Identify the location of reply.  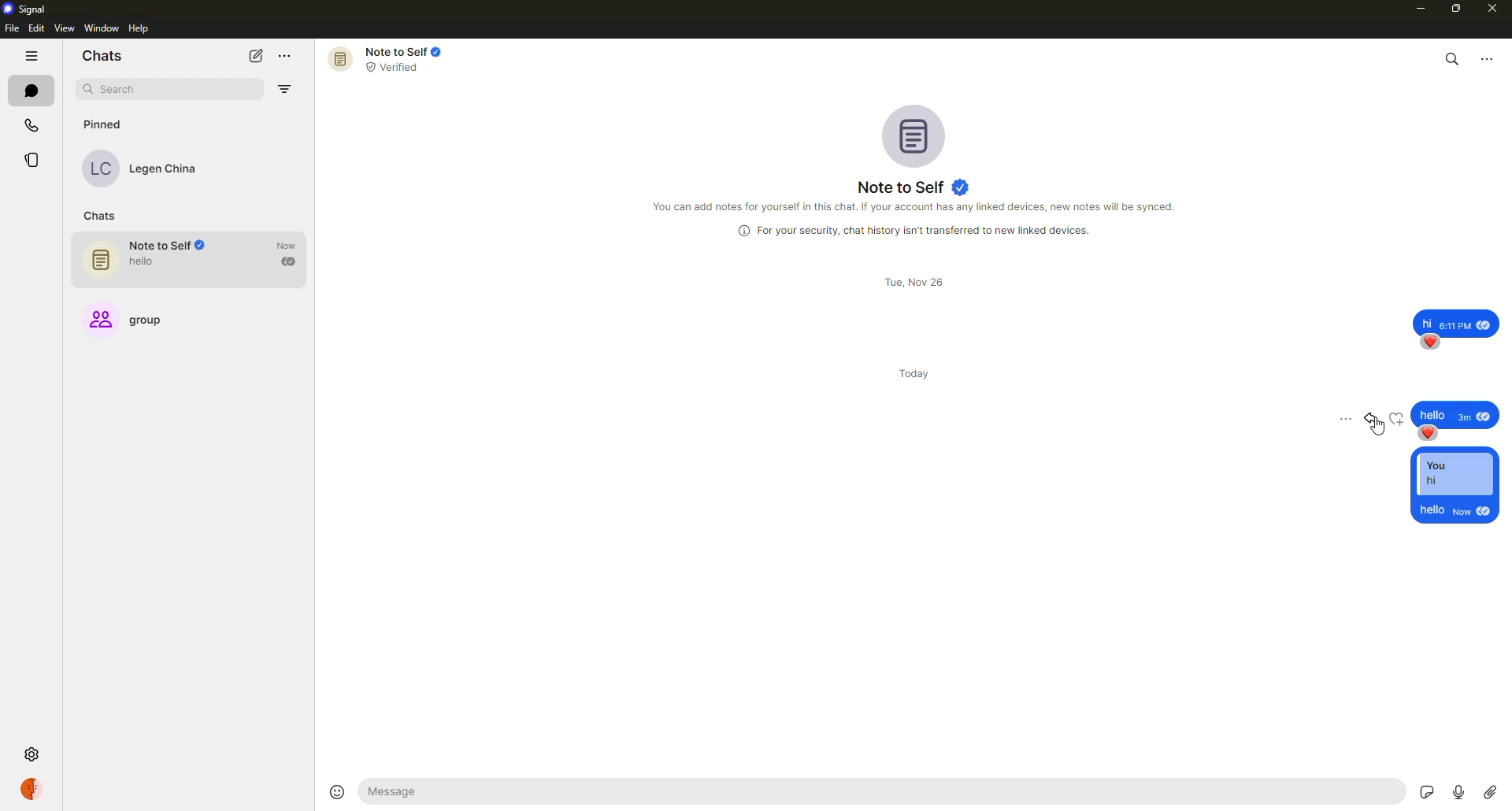
(1373, 420).